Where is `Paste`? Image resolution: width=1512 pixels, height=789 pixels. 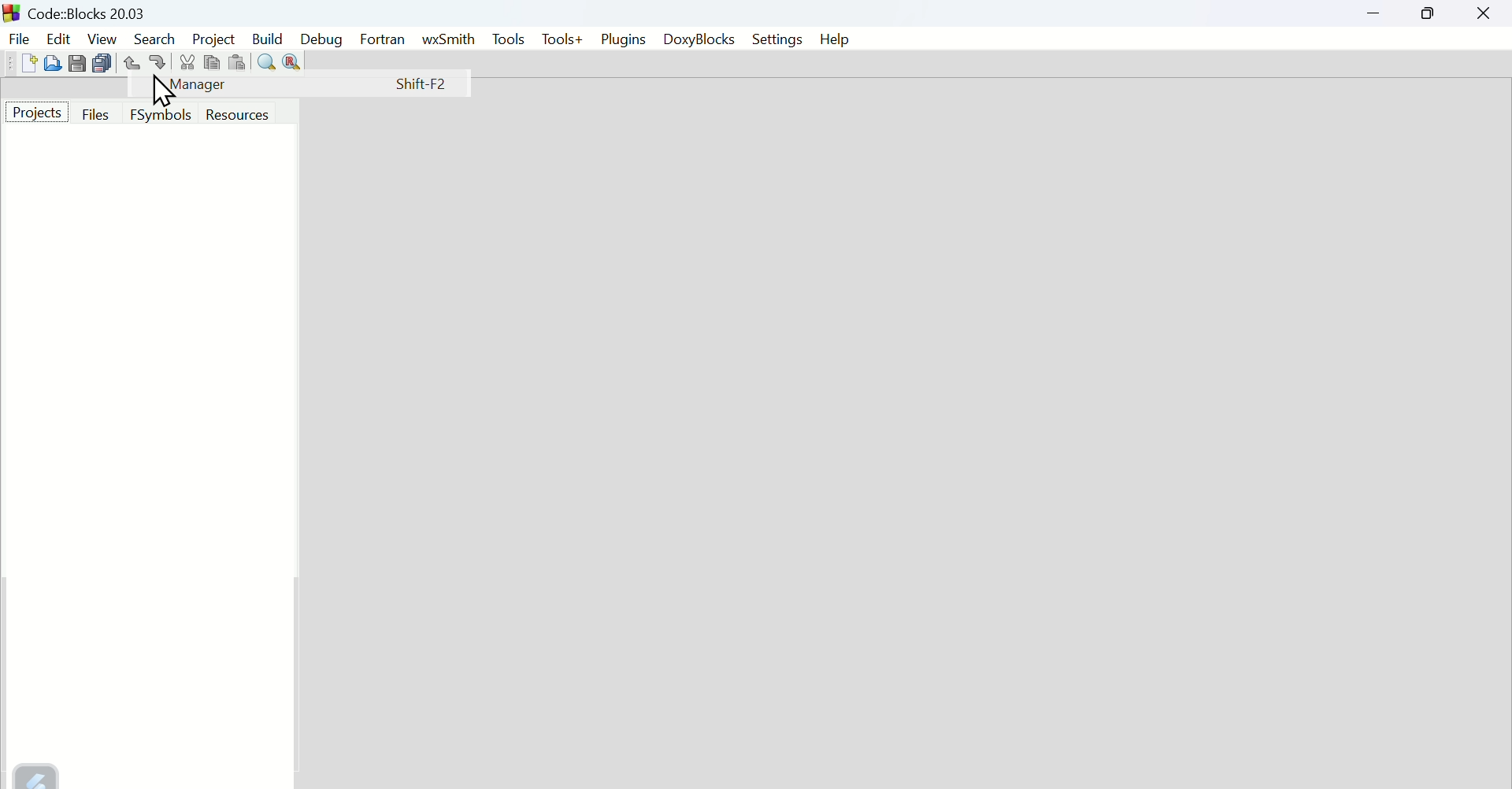
Paste is located at coordinates (237, 61).